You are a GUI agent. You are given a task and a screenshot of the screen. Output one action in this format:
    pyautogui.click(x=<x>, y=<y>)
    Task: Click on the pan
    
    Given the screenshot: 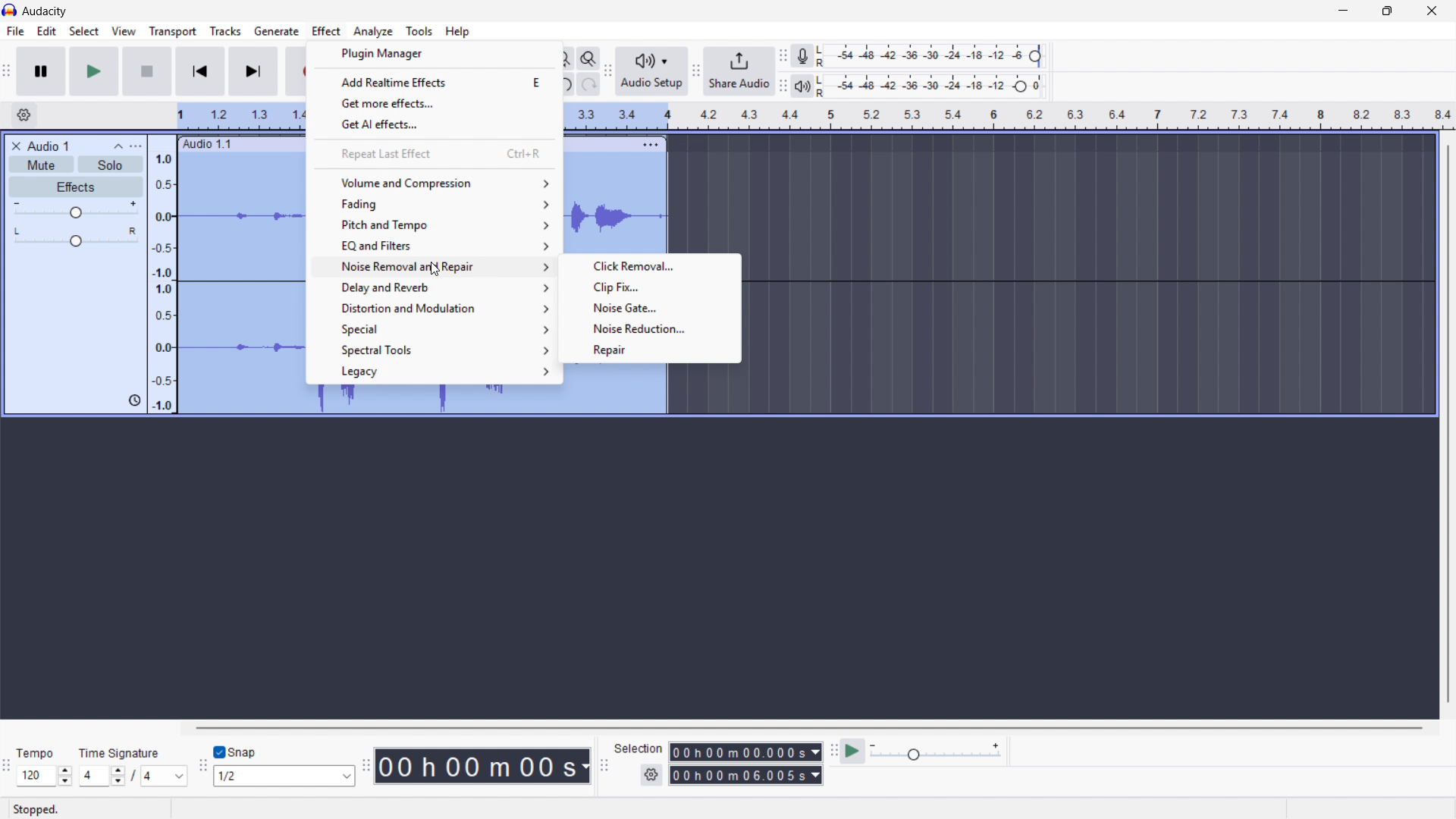 What is the action you would take?
    pyautogui.click(x=75, y=237)
    